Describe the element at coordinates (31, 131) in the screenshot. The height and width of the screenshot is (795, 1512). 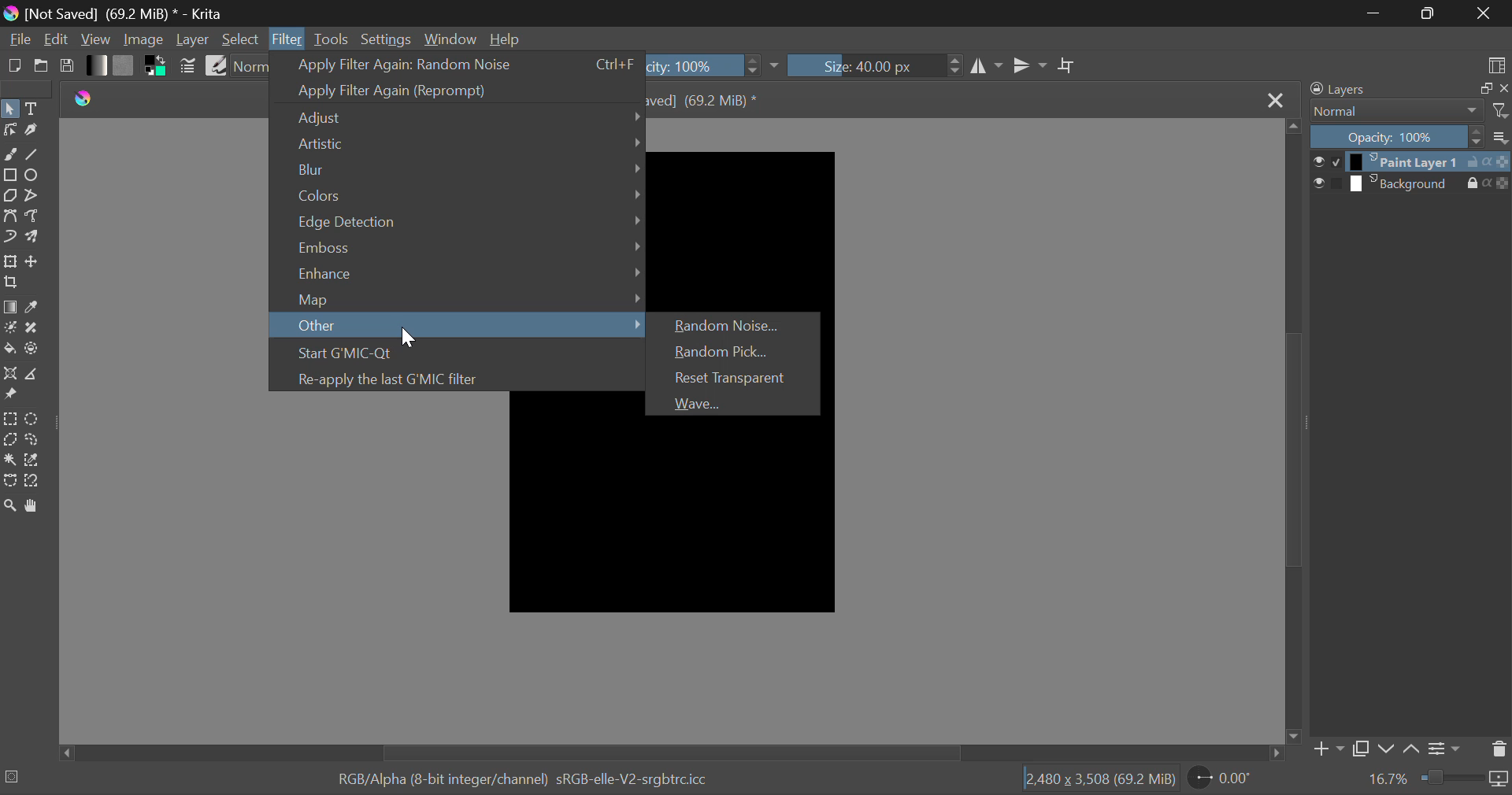
I see `Calligraphic Tool` at that location.